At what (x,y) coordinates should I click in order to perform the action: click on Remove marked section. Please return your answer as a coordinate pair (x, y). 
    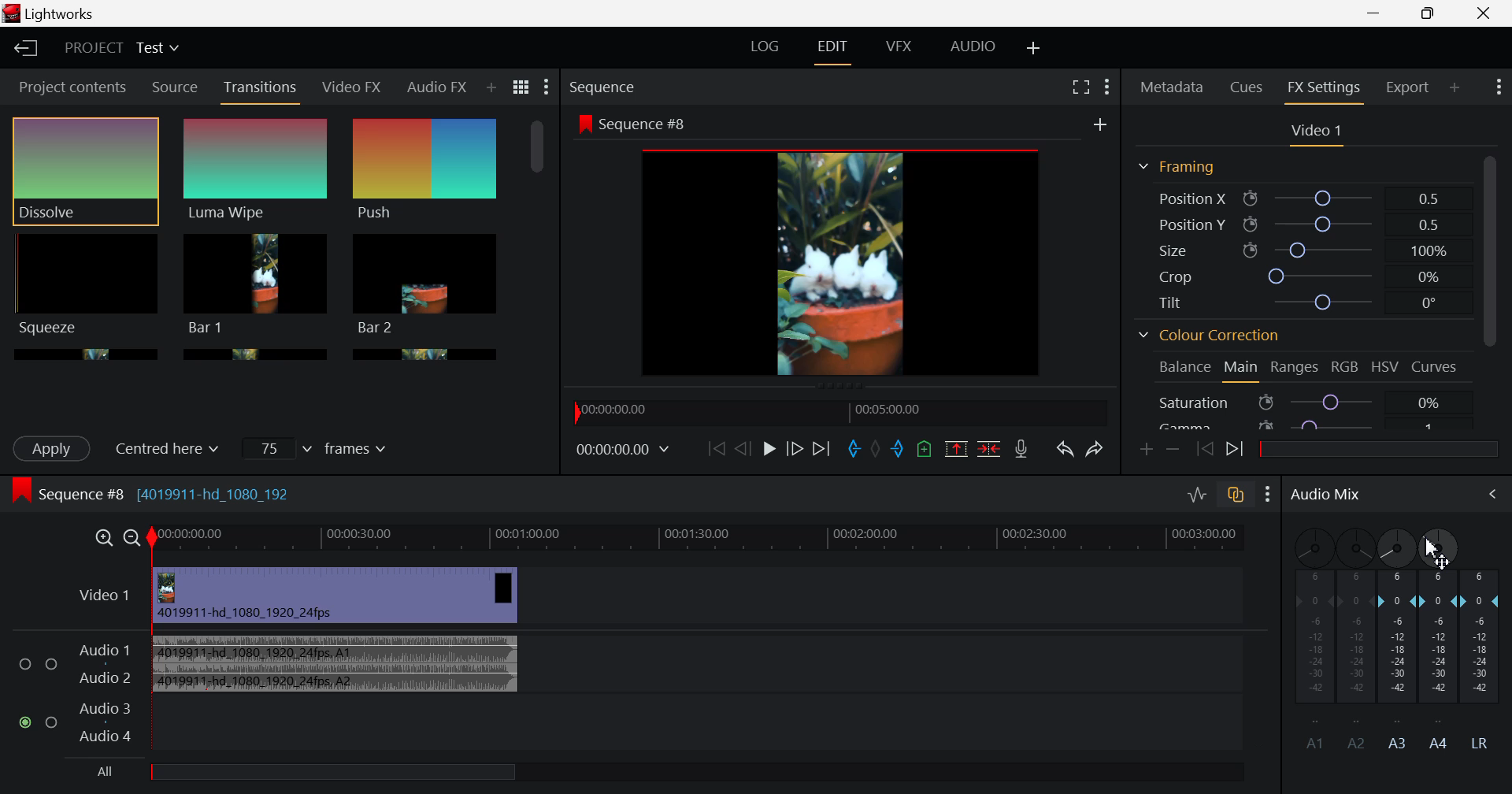
    Looking at the image, I should click on (956, 447).